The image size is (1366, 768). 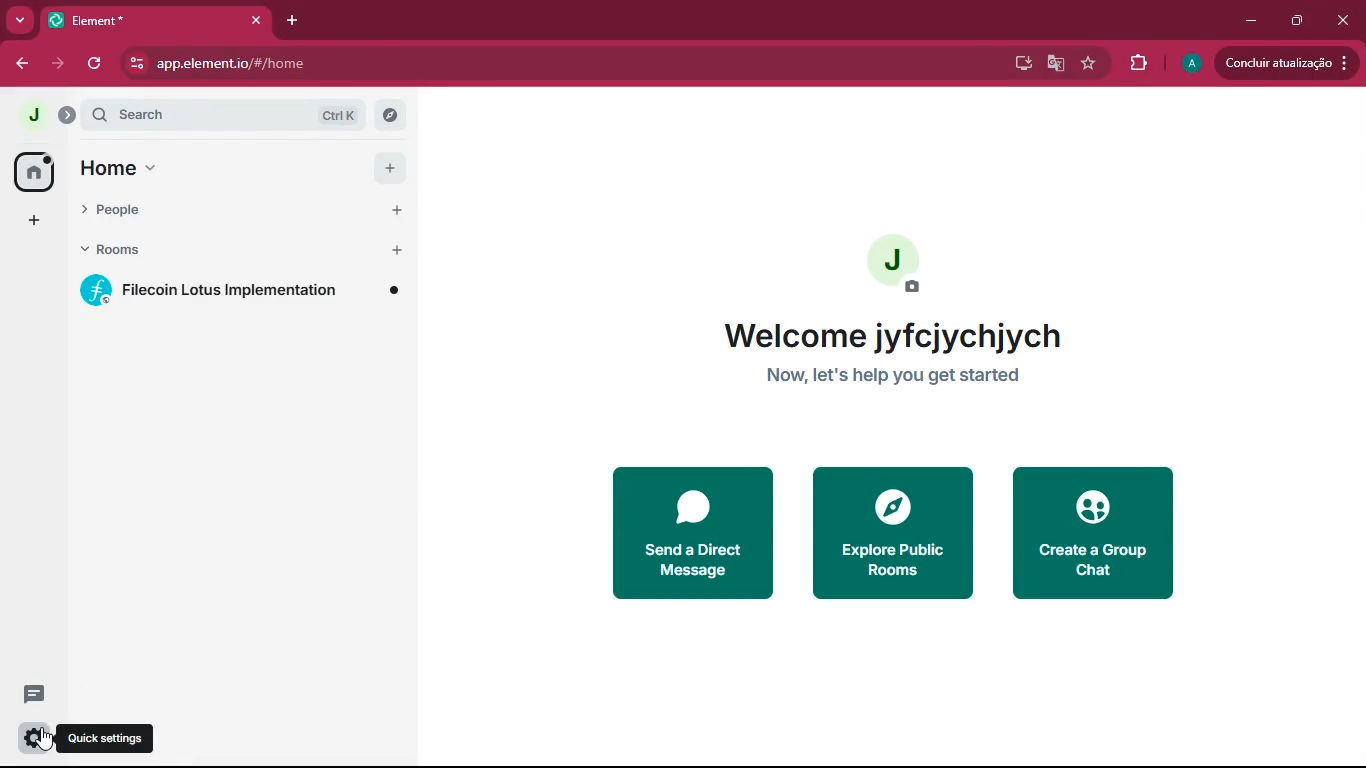 What do you see at coordinates (32, 112) in the screenshot?
I see `profile picture` at bounding box center [32, 112].